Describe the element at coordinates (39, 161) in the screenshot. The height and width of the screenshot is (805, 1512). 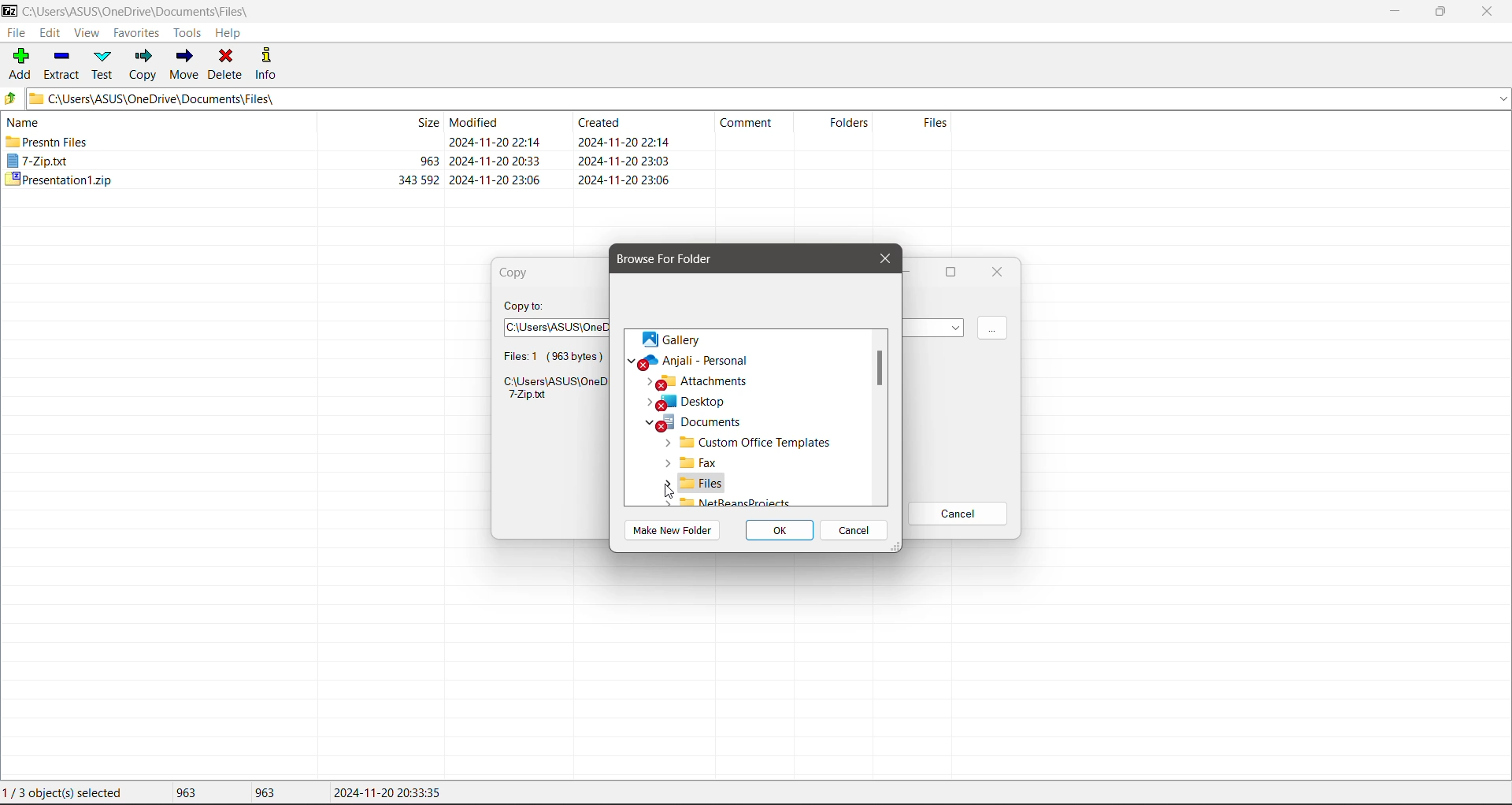
I see `7.zip.txt` at that location.